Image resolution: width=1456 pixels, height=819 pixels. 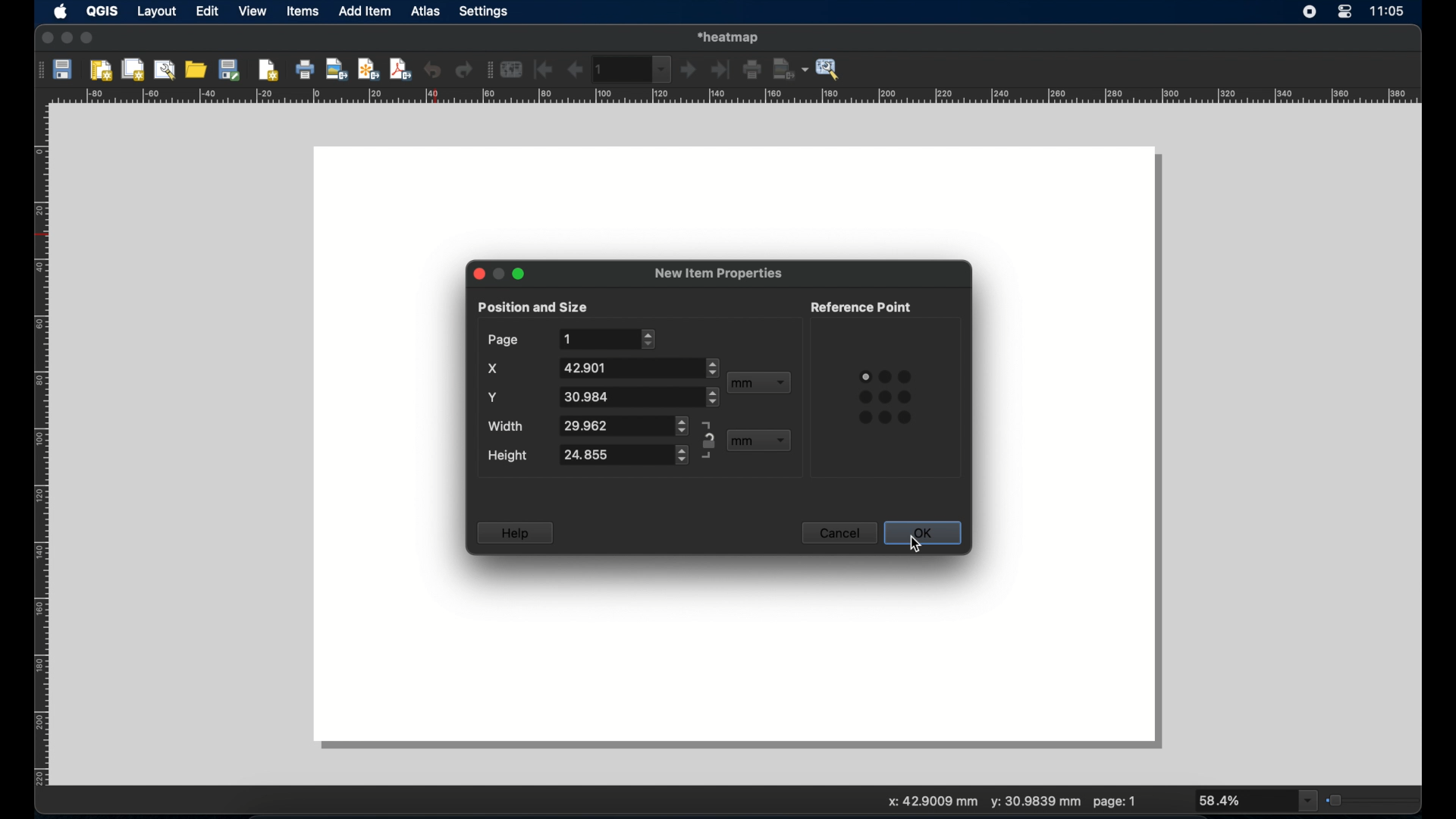 I want to click on atlas toolbar, so click(x=633, y=69).